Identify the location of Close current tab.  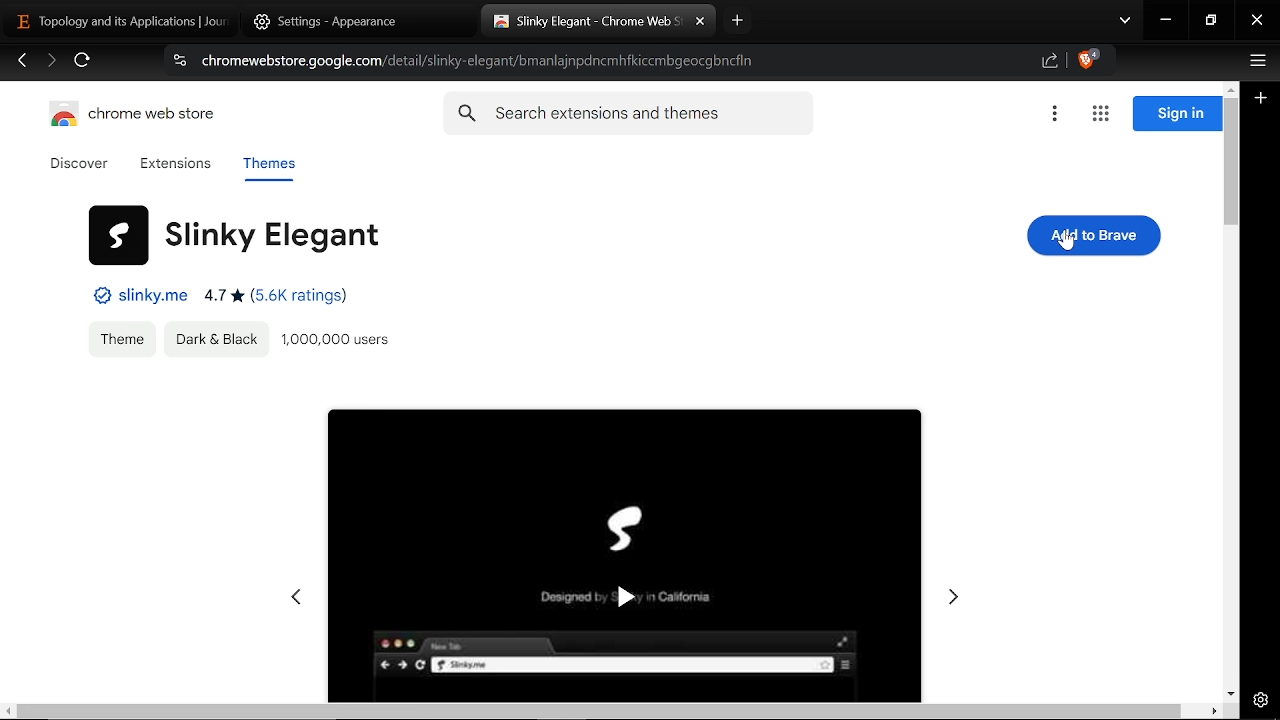
(700, 22).